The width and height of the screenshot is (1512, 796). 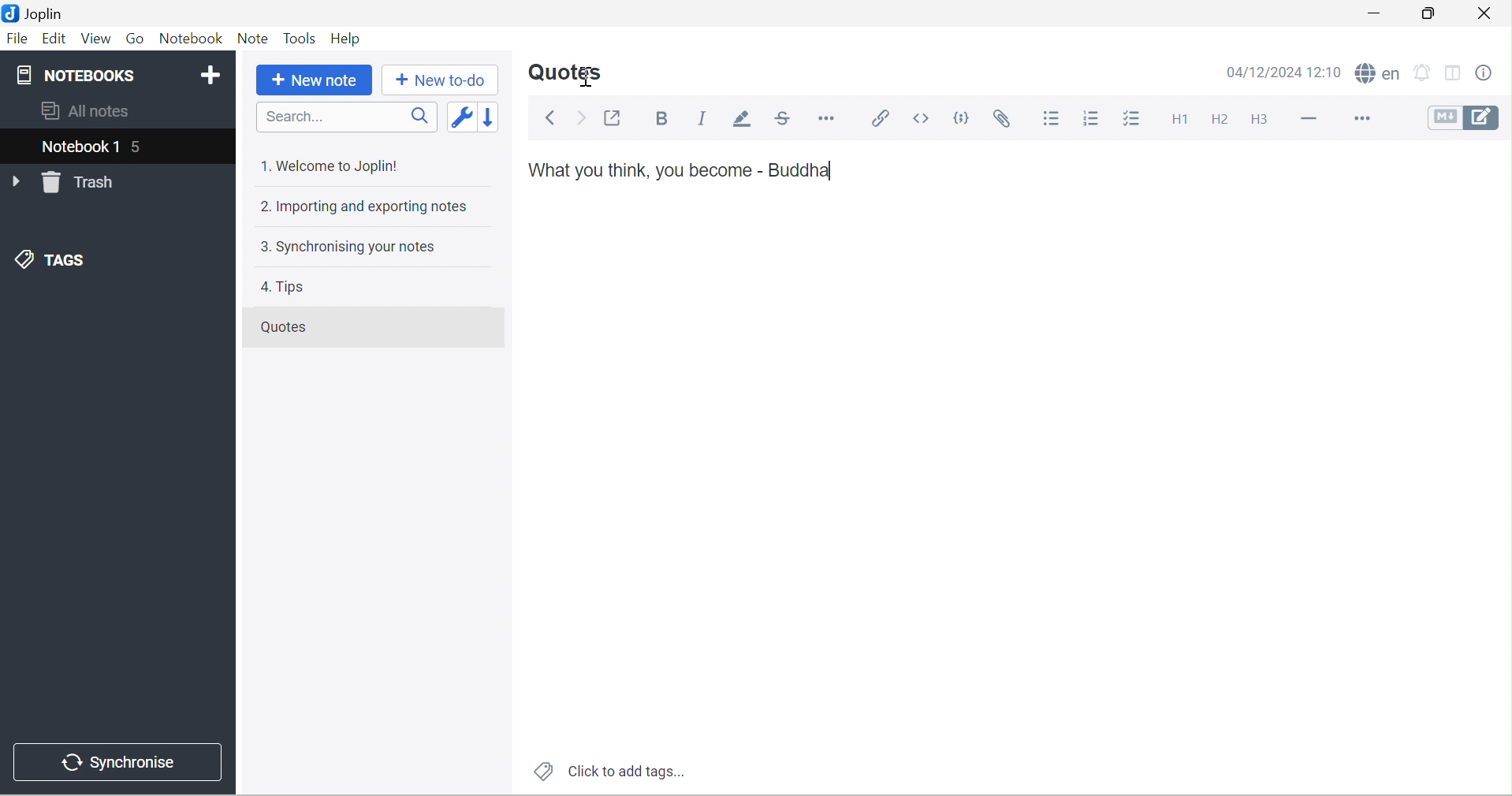 I want to click on Heading 2, so click(x=1223, y=119).